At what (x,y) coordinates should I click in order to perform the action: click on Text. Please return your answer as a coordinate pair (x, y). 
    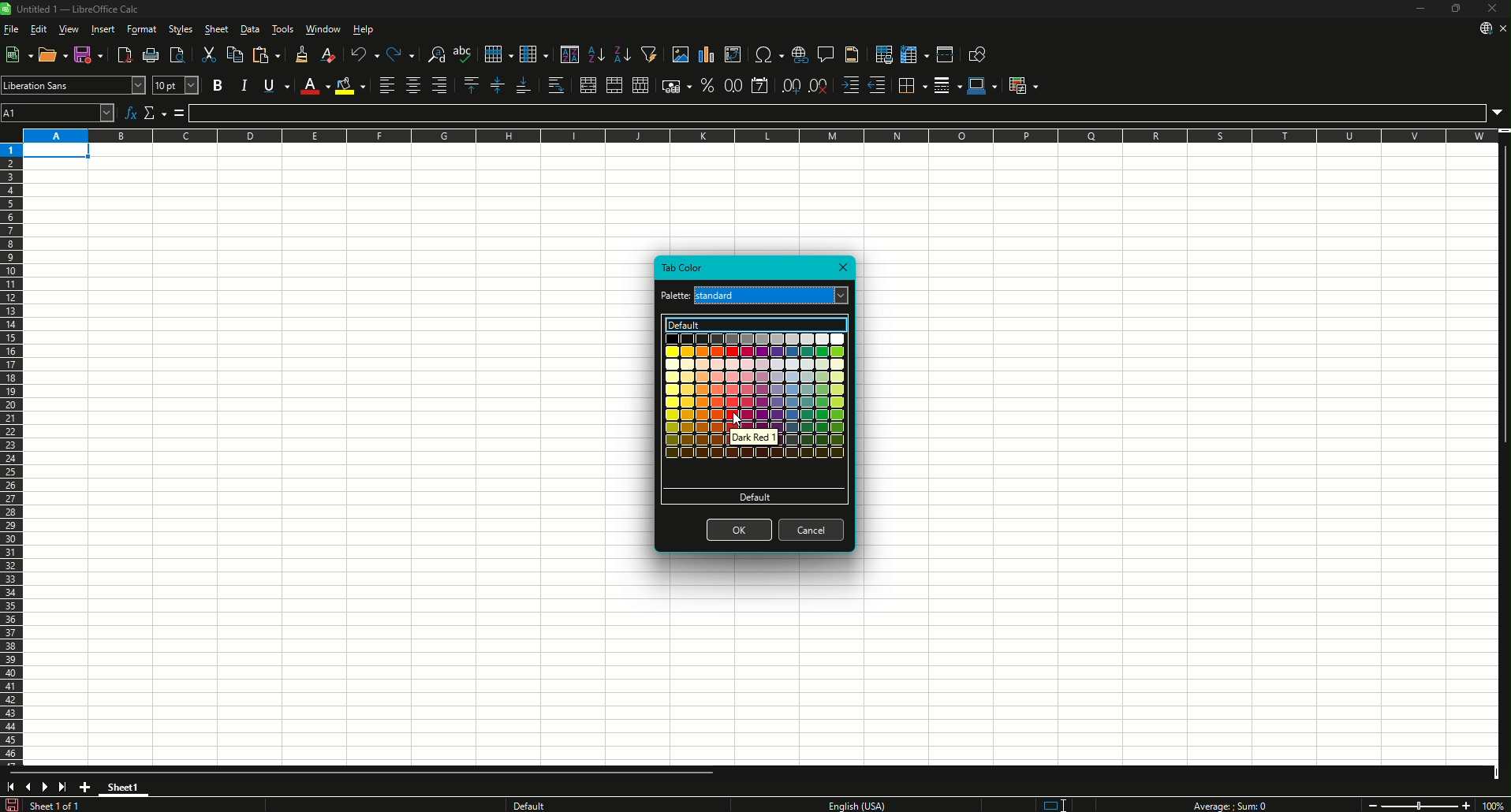
    Looking at the image, I should click on (855, 805).